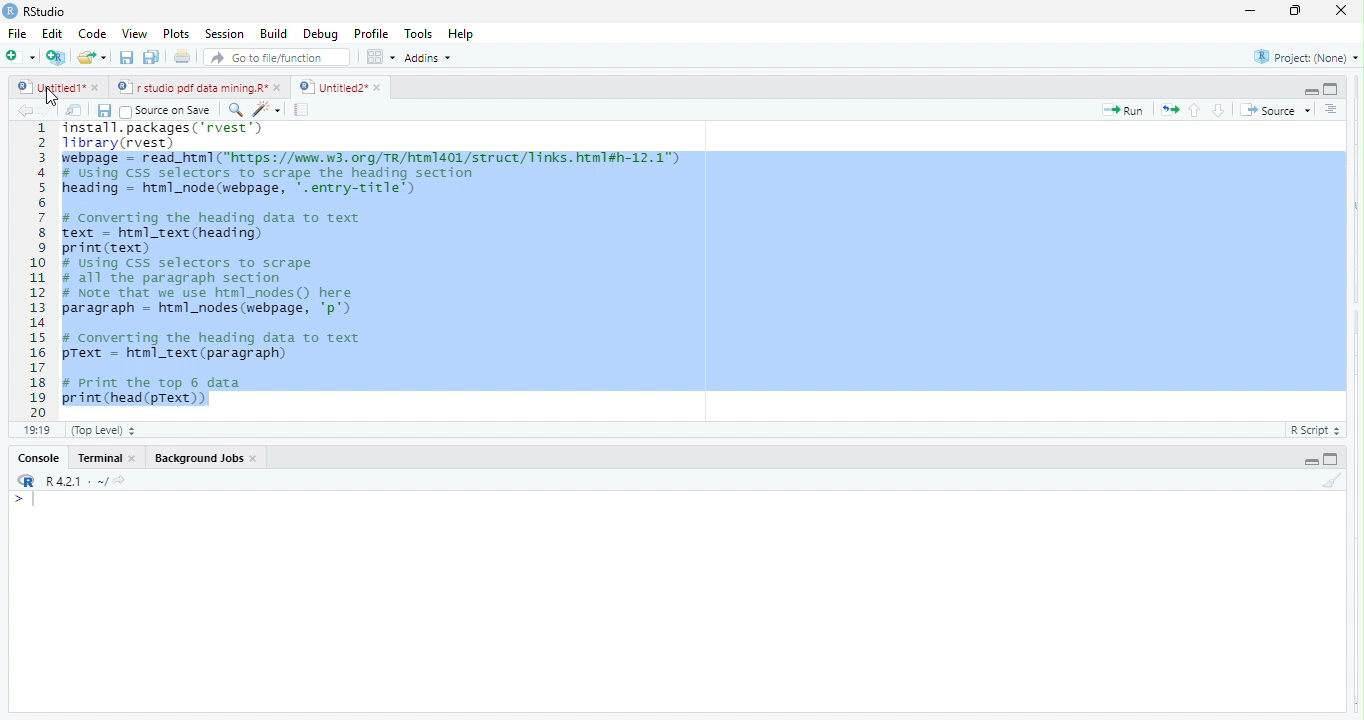  What do you see at coordinates (54, 57) in the screenshot?
I see `create a project` at bounding box center [54, 57].